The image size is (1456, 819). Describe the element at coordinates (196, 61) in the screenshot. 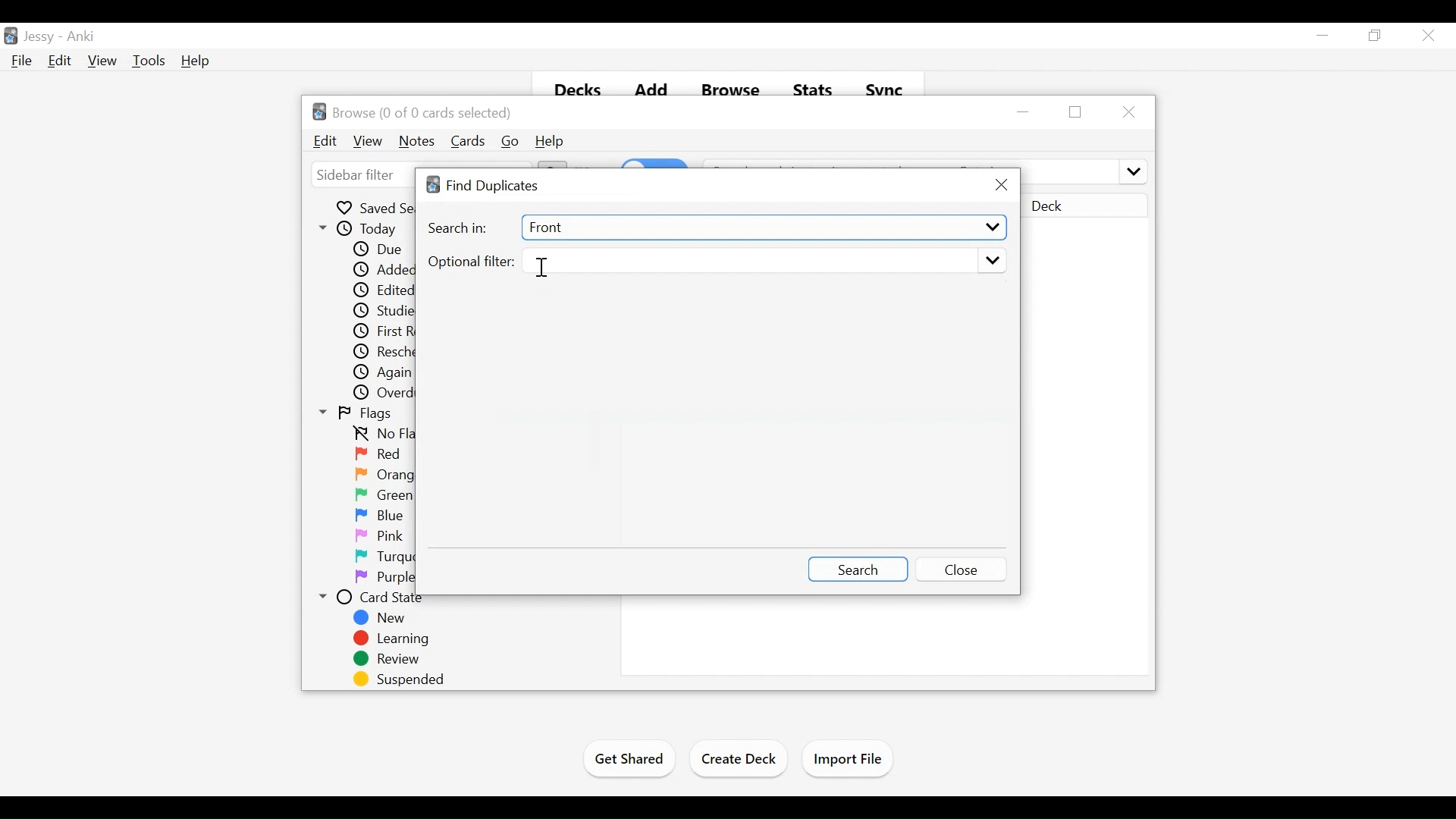

I see `Help` at that location.